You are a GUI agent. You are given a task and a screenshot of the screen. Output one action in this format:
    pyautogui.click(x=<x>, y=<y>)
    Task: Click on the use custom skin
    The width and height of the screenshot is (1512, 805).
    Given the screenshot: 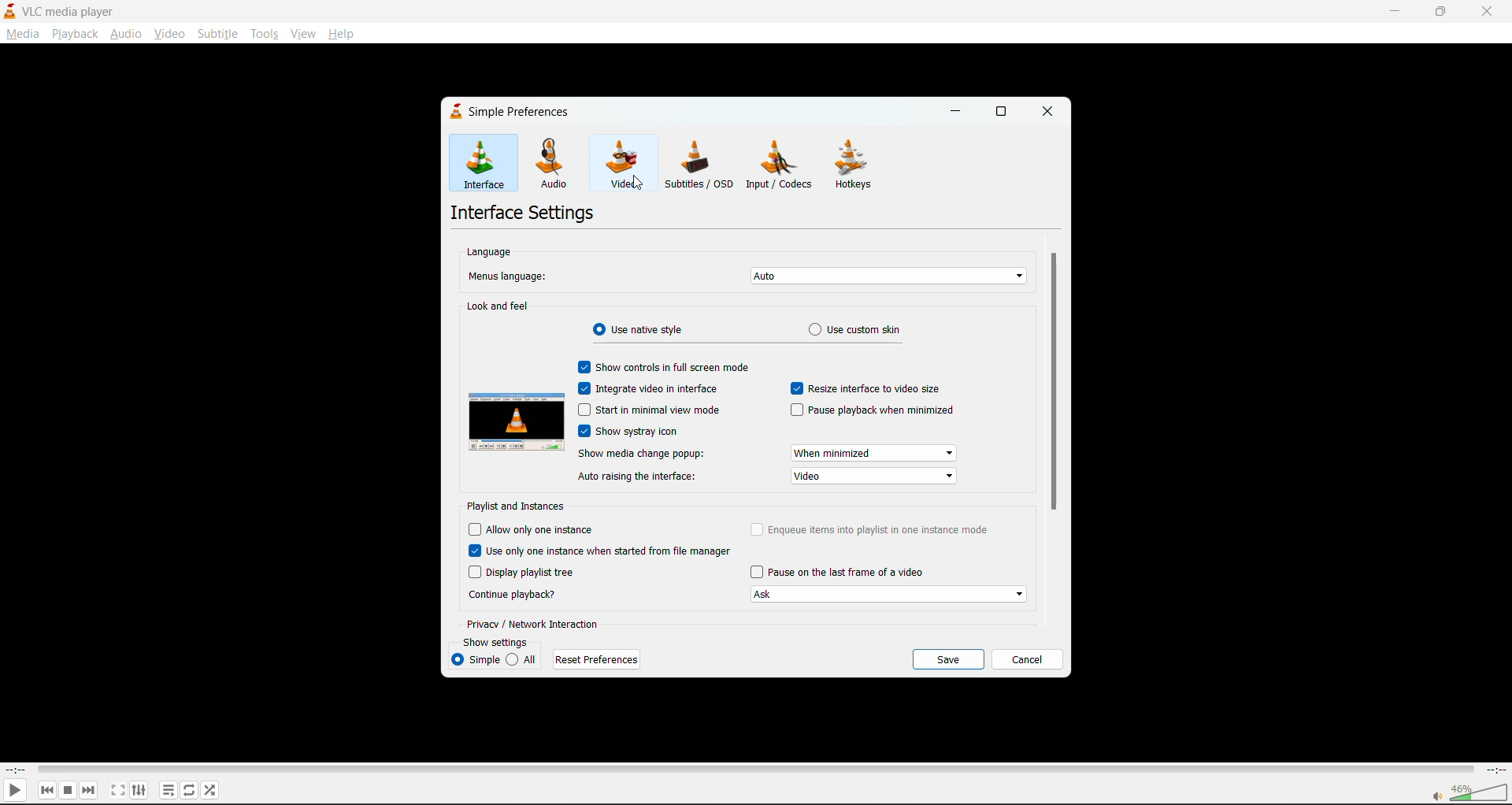 What is the action you would take?
    pyautogui.click(x=865, y=330)
    